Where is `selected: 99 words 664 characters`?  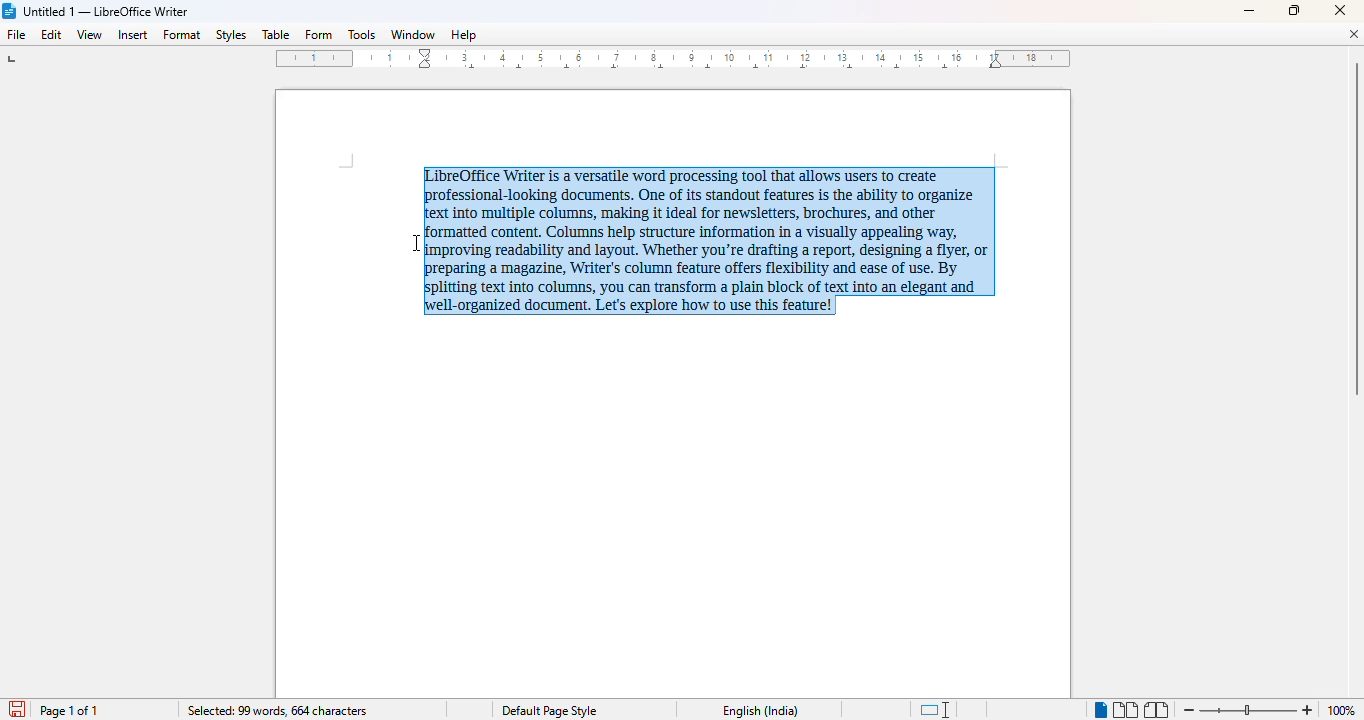 selected: 99 words 664 characters is located at coordinates (278, 711).